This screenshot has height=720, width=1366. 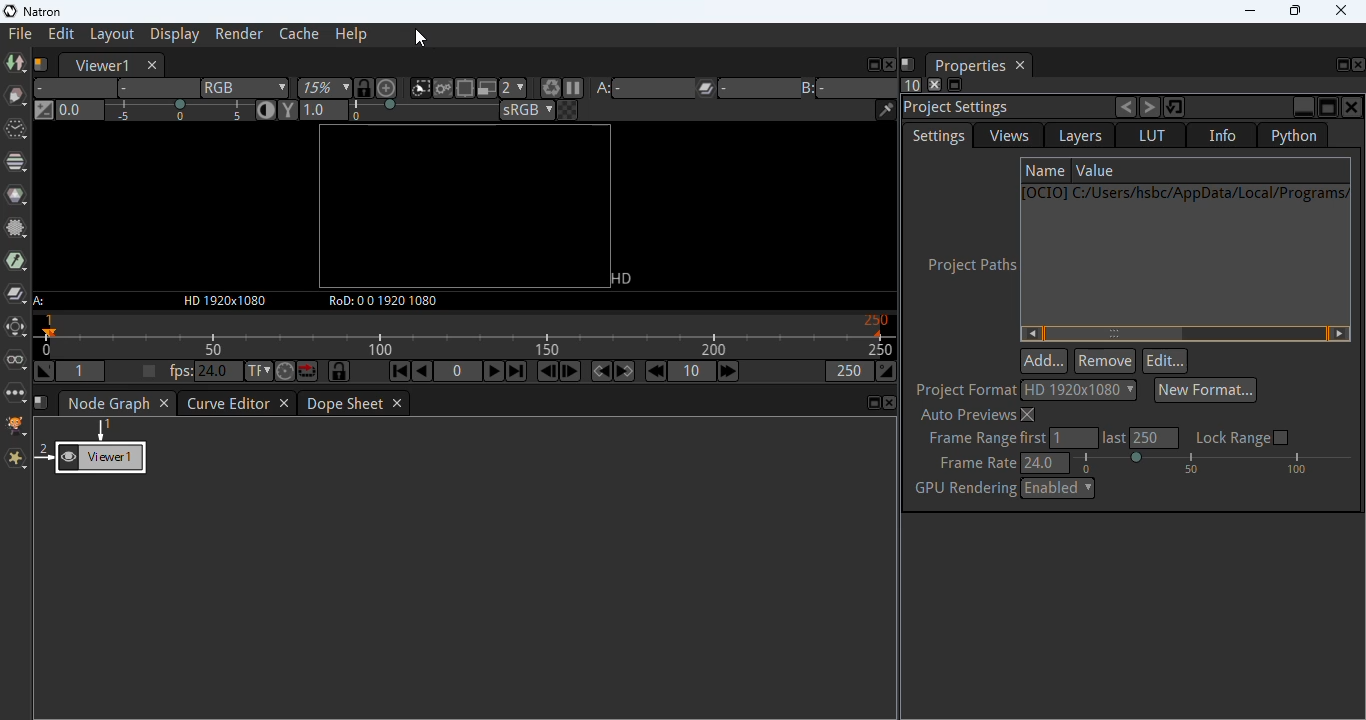 What do you see at coordinates (913, 86) in the screenshot?
I see `set the maximum number of panels that can be opened at the same time in the properties bin pane.` at bounding box center [913, 86].